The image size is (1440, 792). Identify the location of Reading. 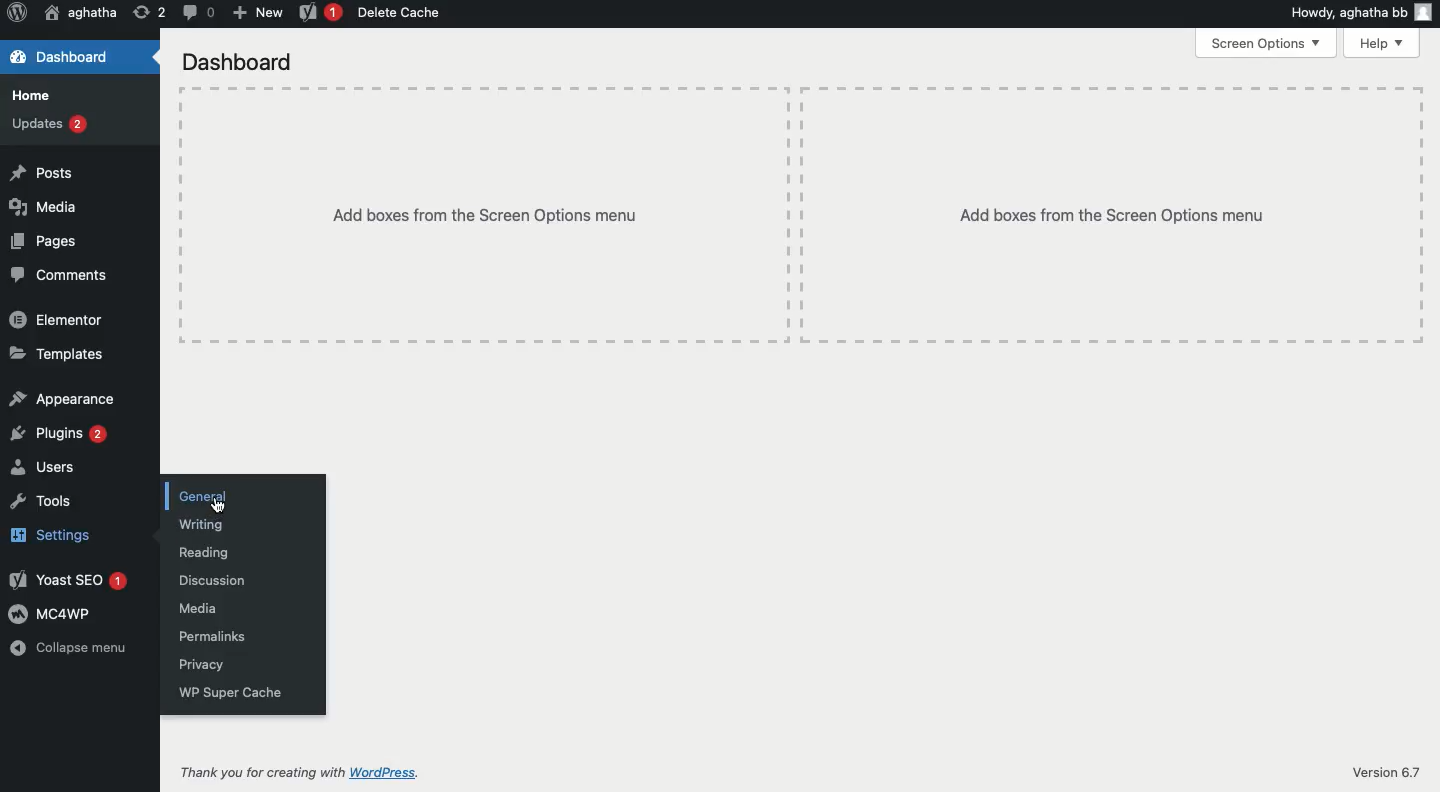
(201, 554).